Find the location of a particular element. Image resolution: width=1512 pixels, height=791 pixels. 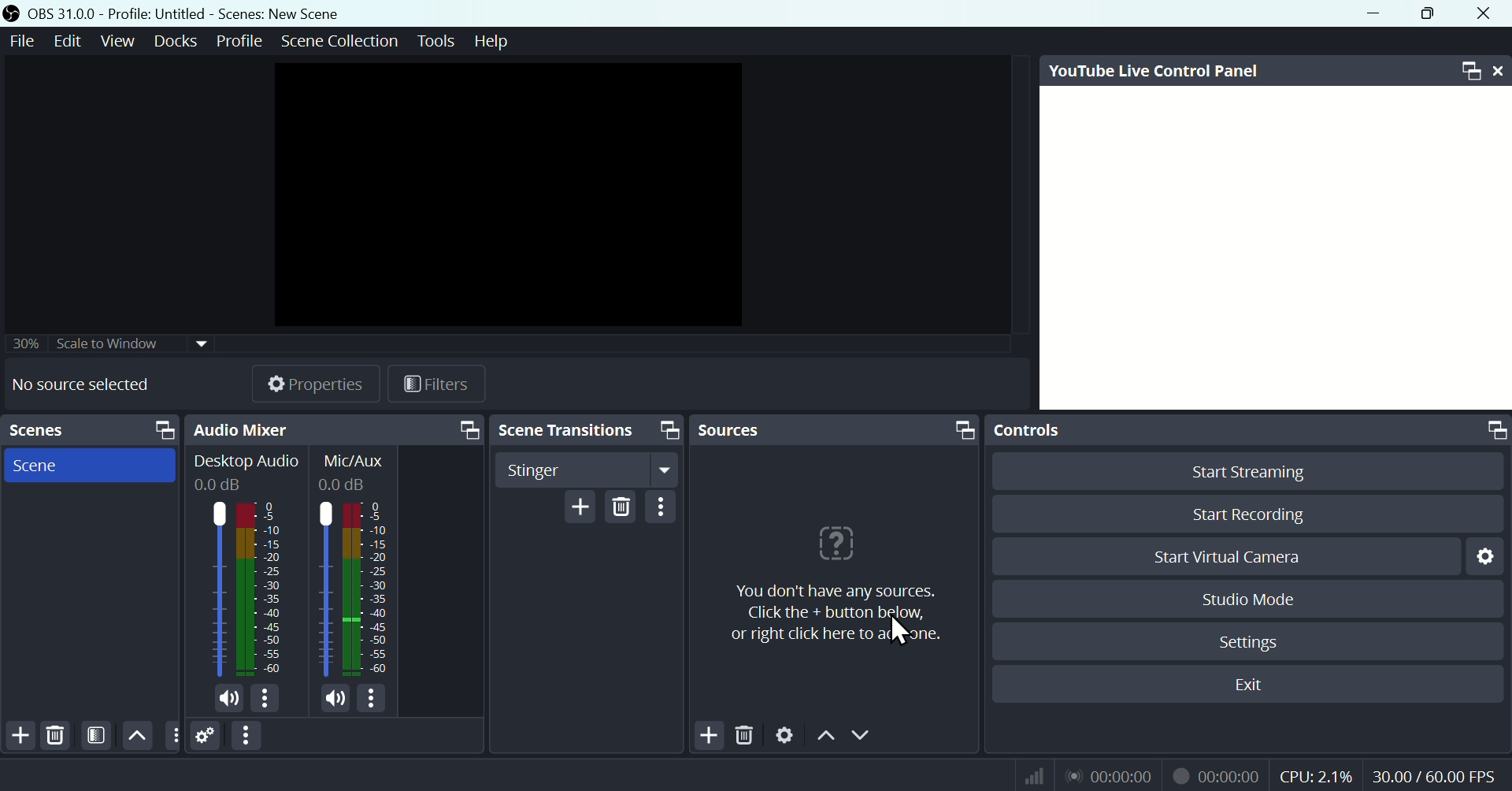

View is located at coordinates (114, 41).